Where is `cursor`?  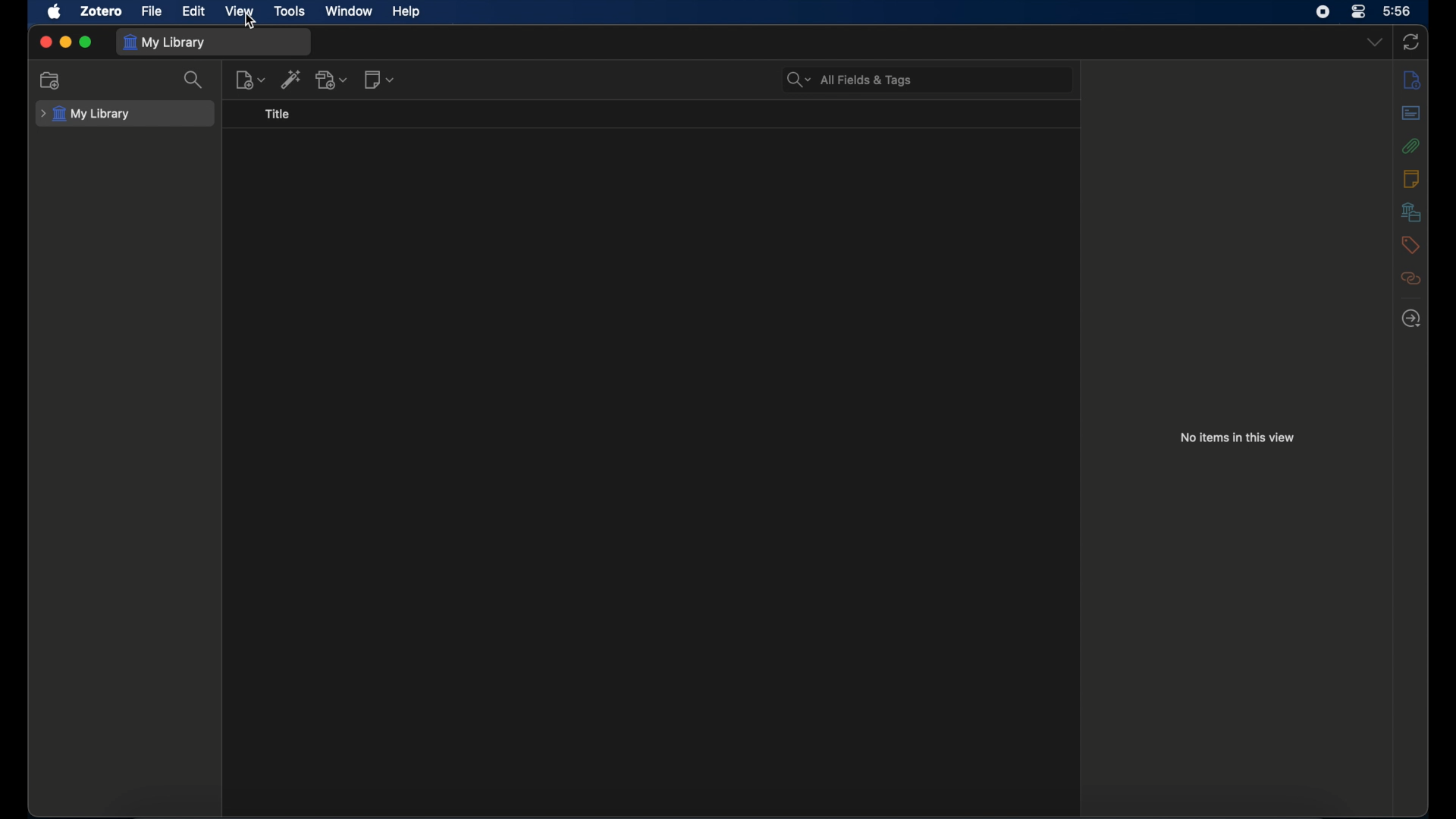 cursor is located at coordinates (251, 22).